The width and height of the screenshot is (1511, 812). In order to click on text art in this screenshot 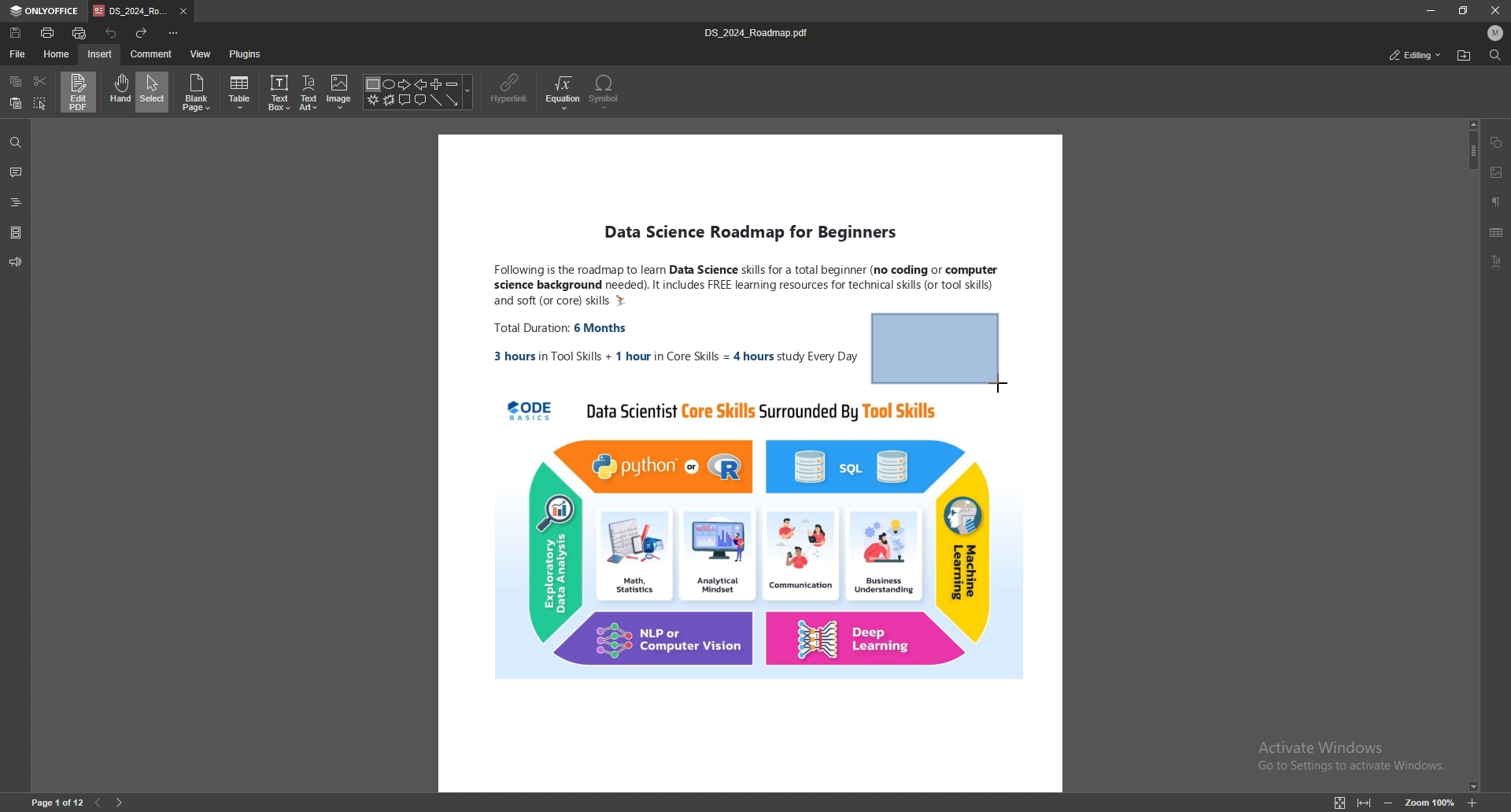, I will do `click(310, 92)`.